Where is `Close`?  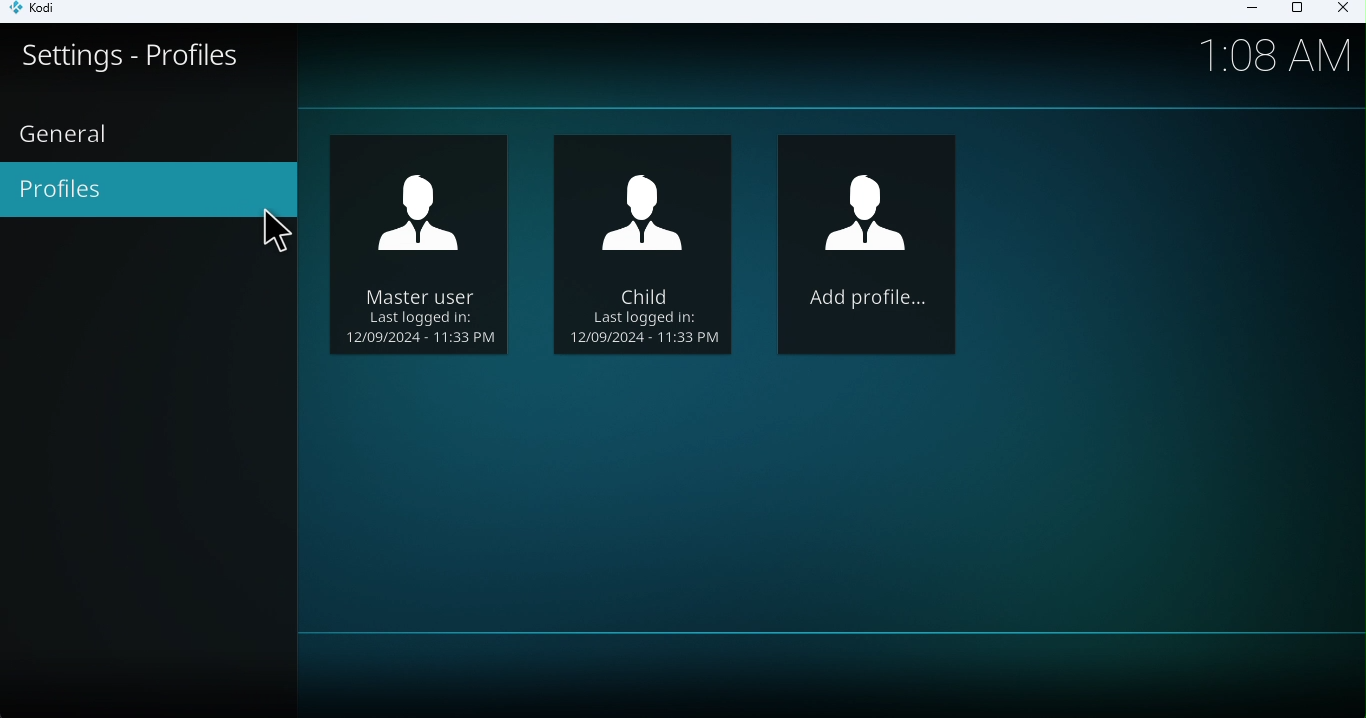
Close is located at coordinates (1340, 11).